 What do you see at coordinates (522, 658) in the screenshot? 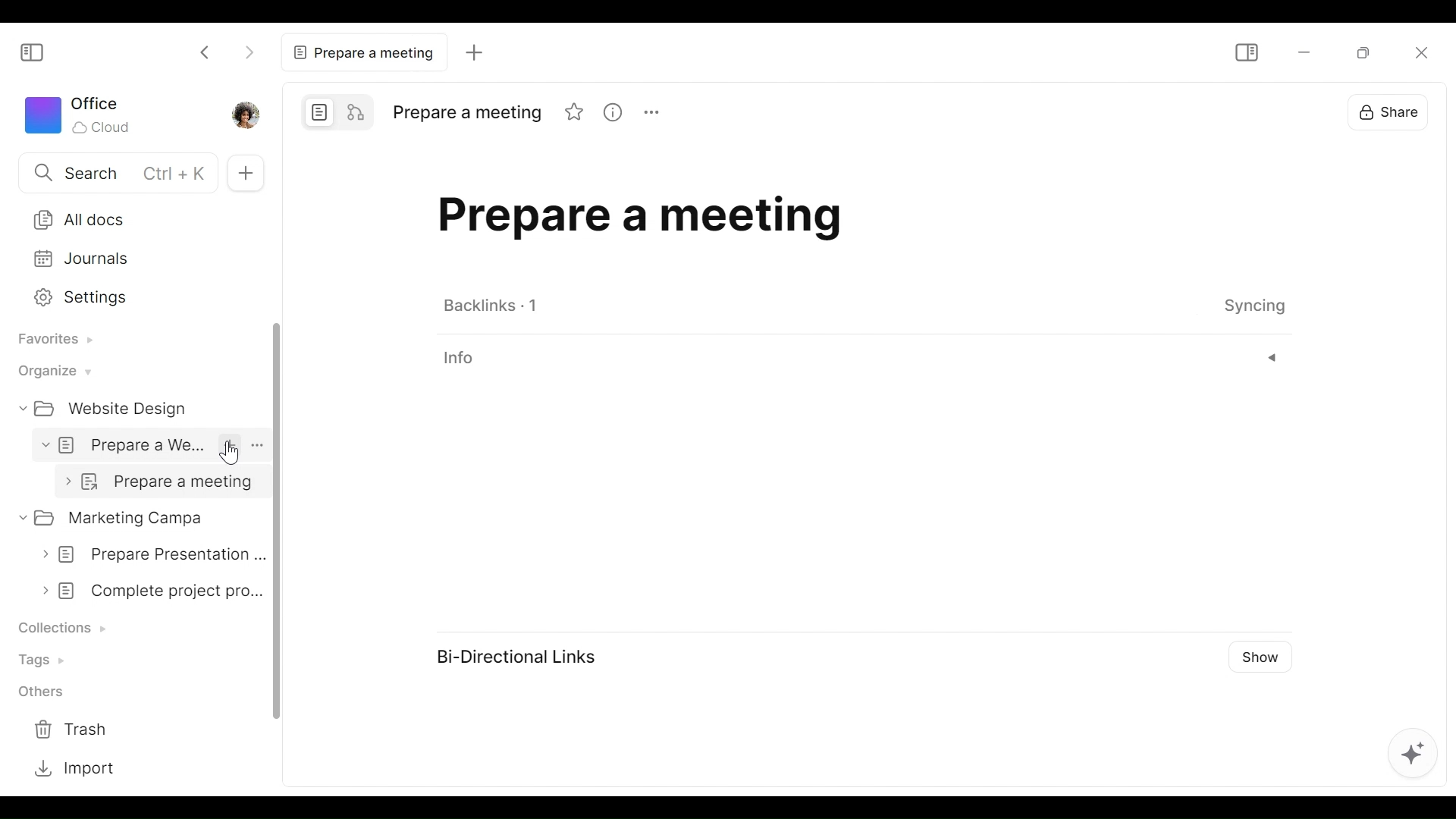
I see `Bi-Directional Links` at bounding box center [522, 658].